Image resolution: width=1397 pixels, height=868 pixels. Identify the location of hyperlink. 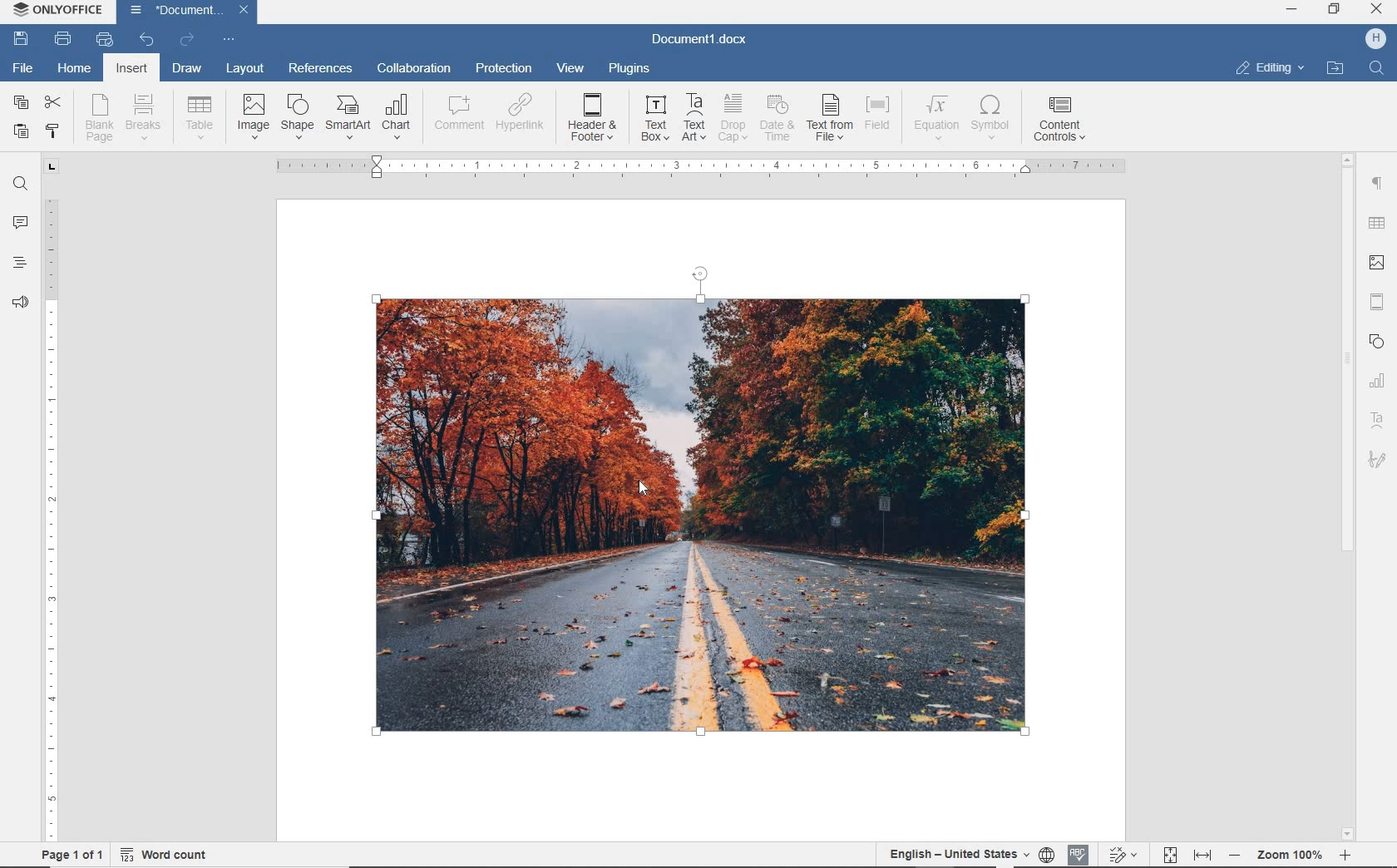
(520, 116).